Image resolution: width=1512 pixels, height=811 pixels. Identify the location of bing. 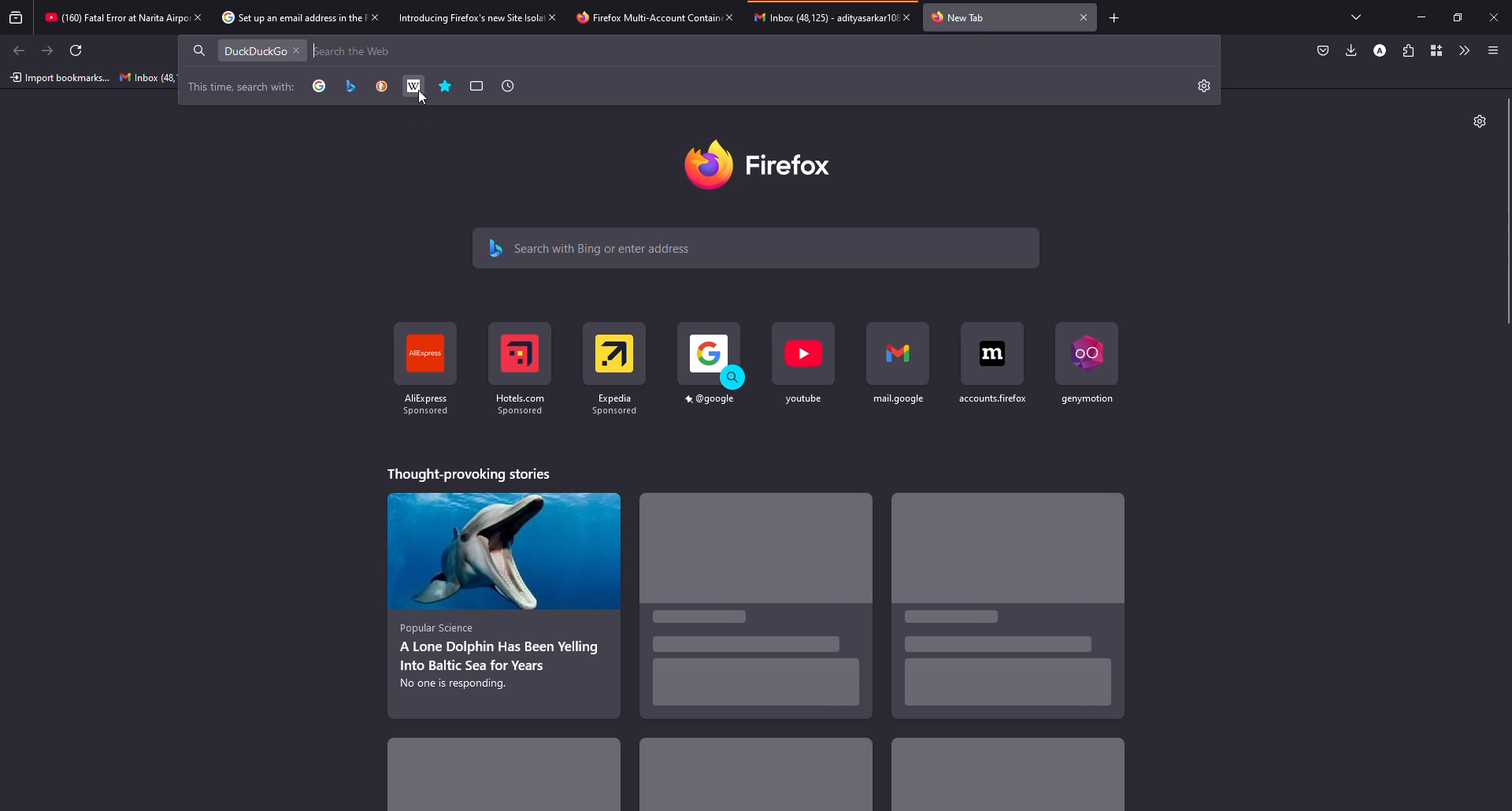
(350, 87).